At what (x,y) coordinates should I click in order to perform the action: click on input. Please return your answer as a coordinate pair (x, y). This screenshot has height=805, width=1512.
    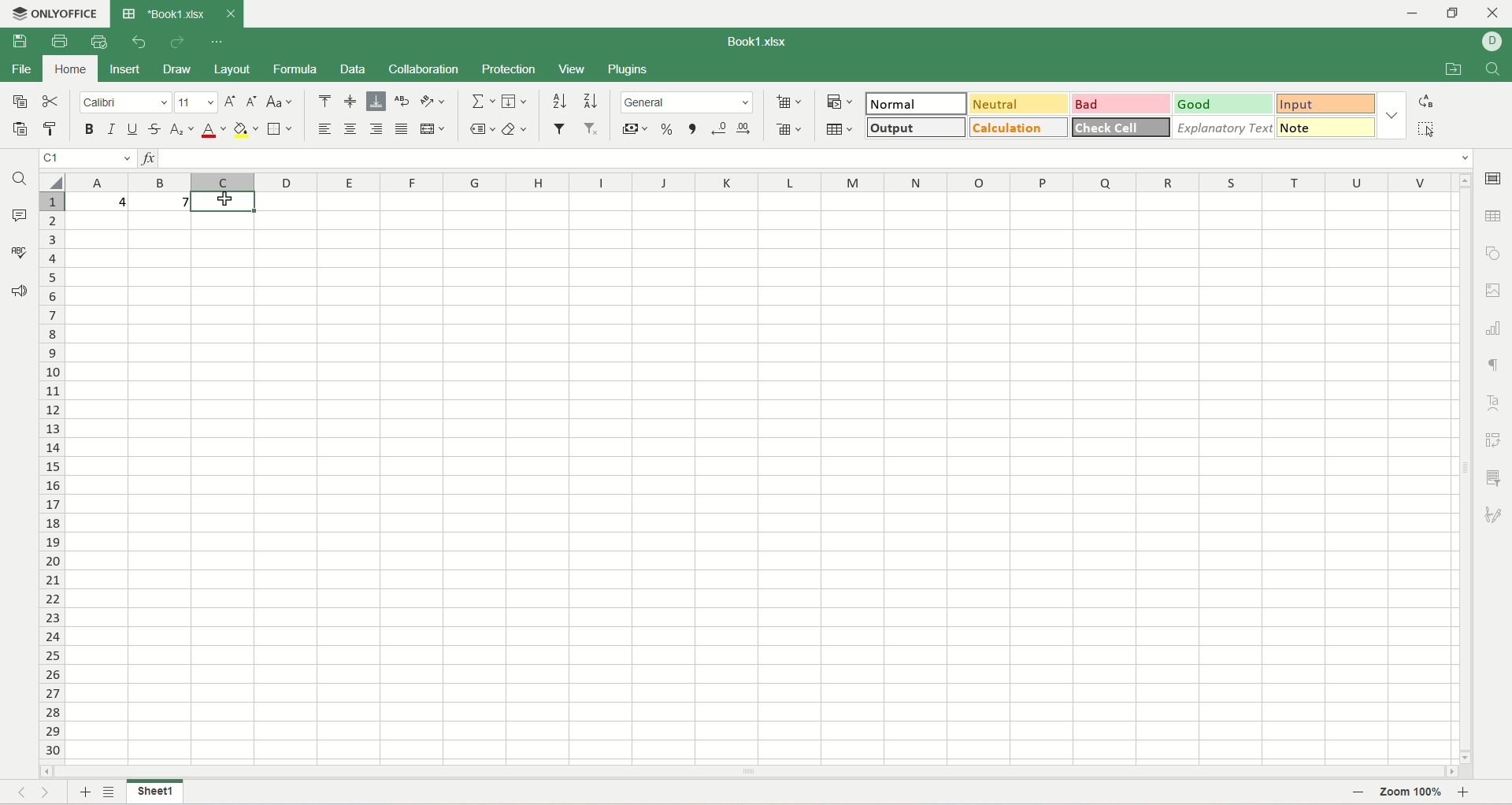
    Looking at the image, I should click on (1328, 103).